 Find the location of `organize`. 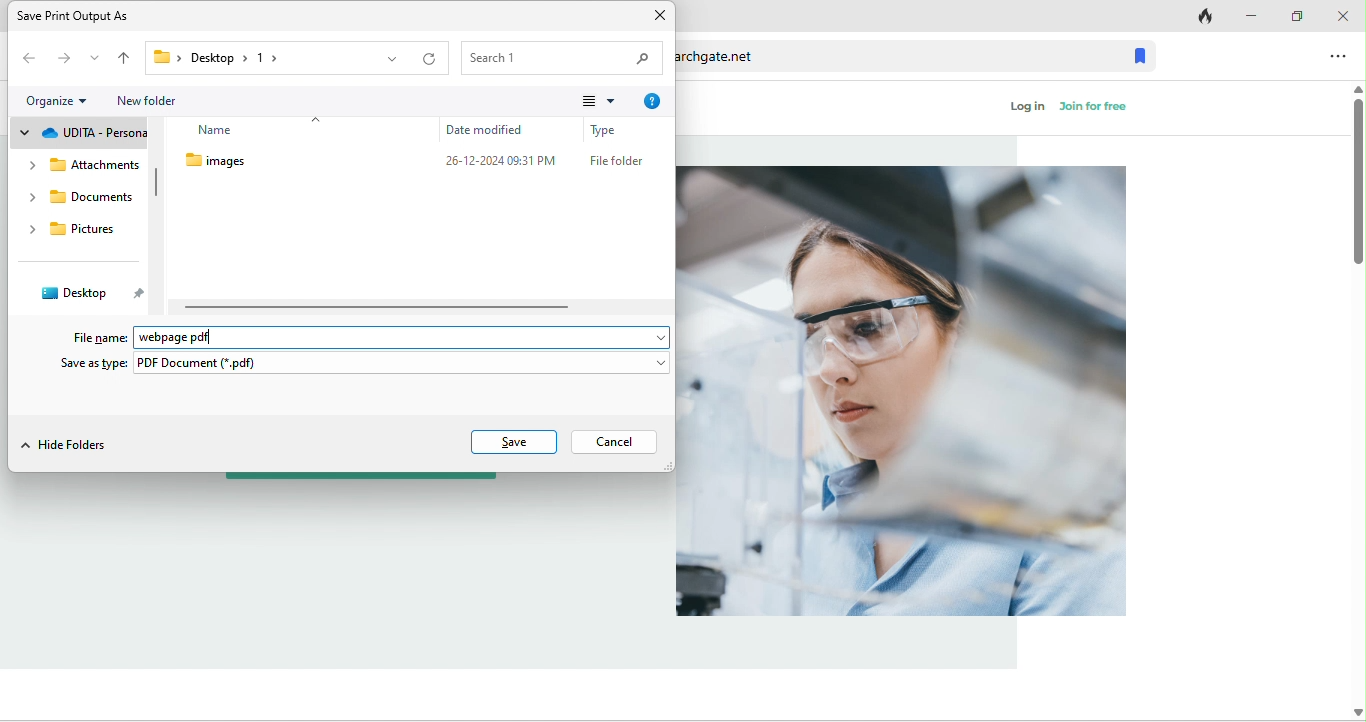

organize is located at coordinates (59, 98).